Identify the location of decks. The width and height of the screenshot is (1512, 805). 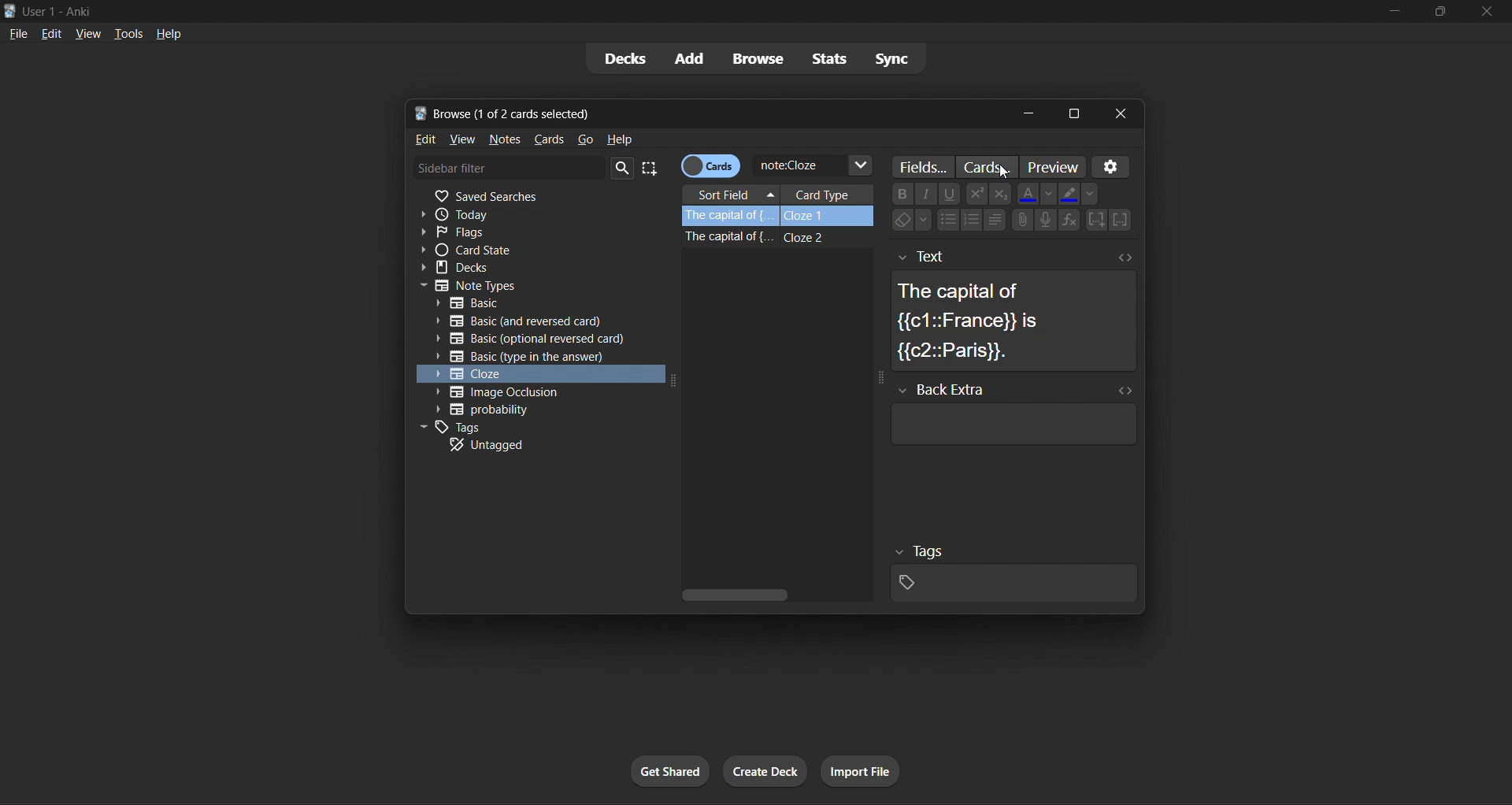
(622, 58).